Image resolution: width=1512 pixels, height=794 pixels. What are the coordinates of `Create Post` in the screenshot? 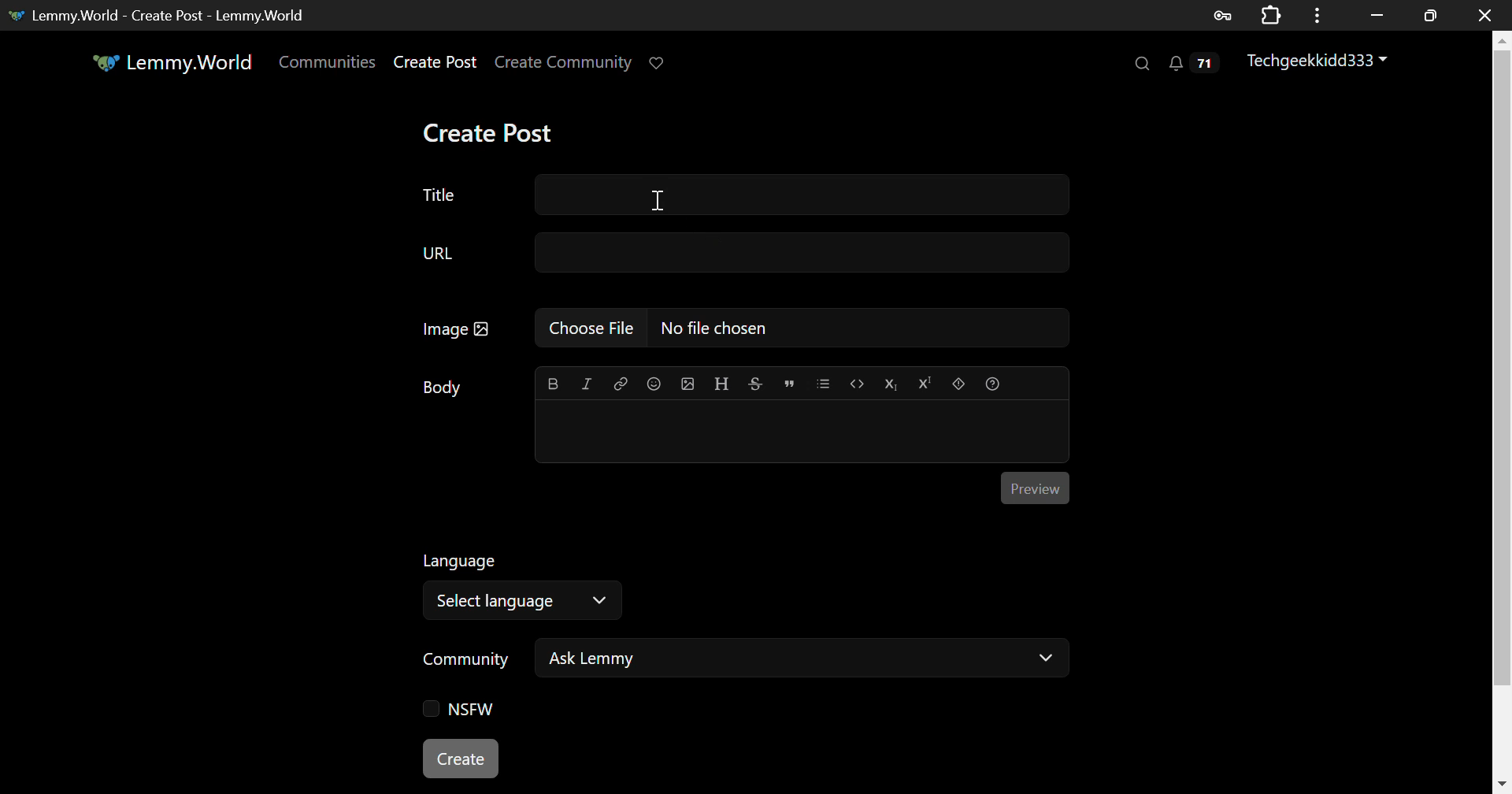 It's located at (461, 756).